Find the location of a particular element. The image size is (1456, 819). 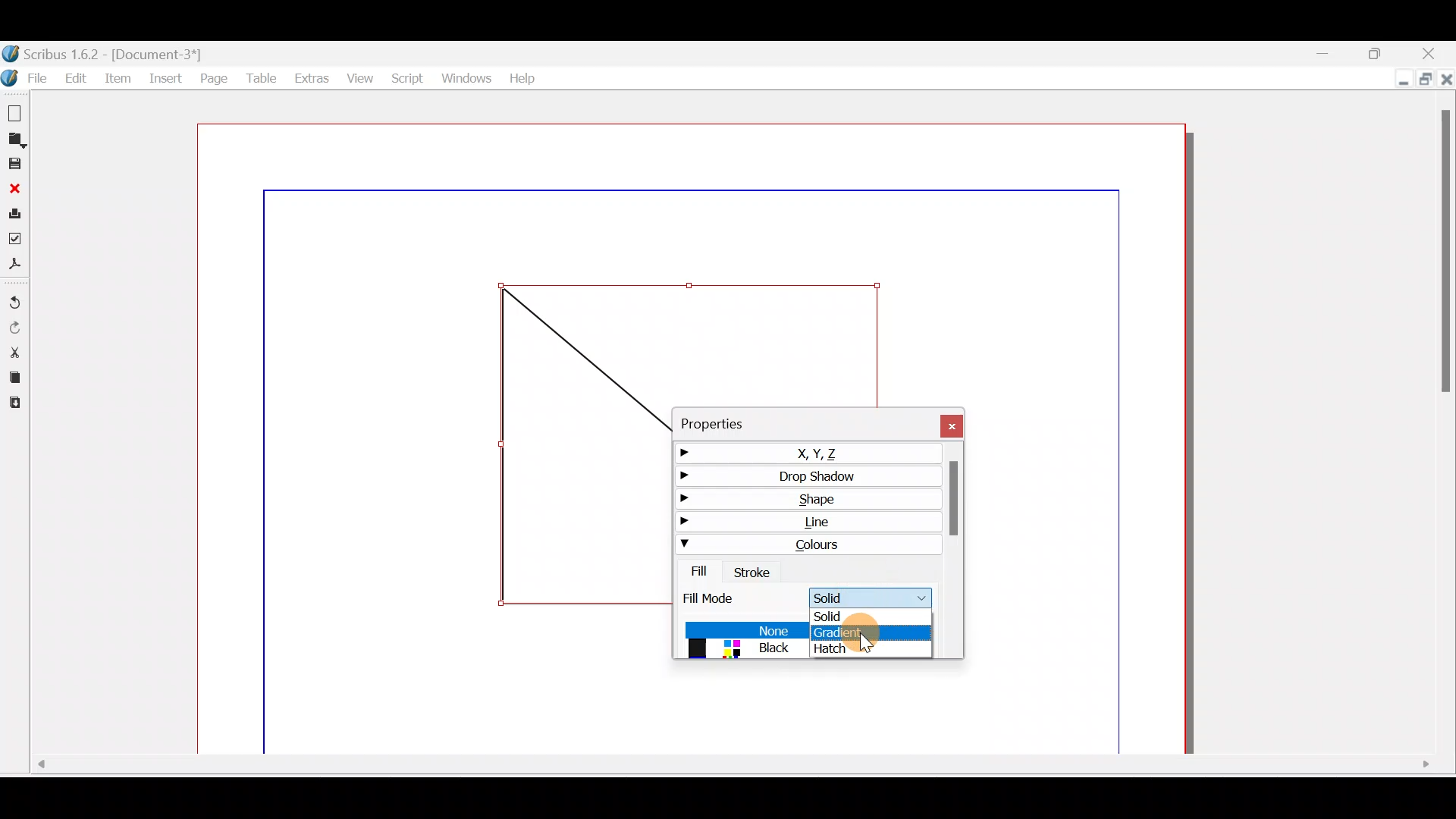

Page is located at coordinates (213, 79).